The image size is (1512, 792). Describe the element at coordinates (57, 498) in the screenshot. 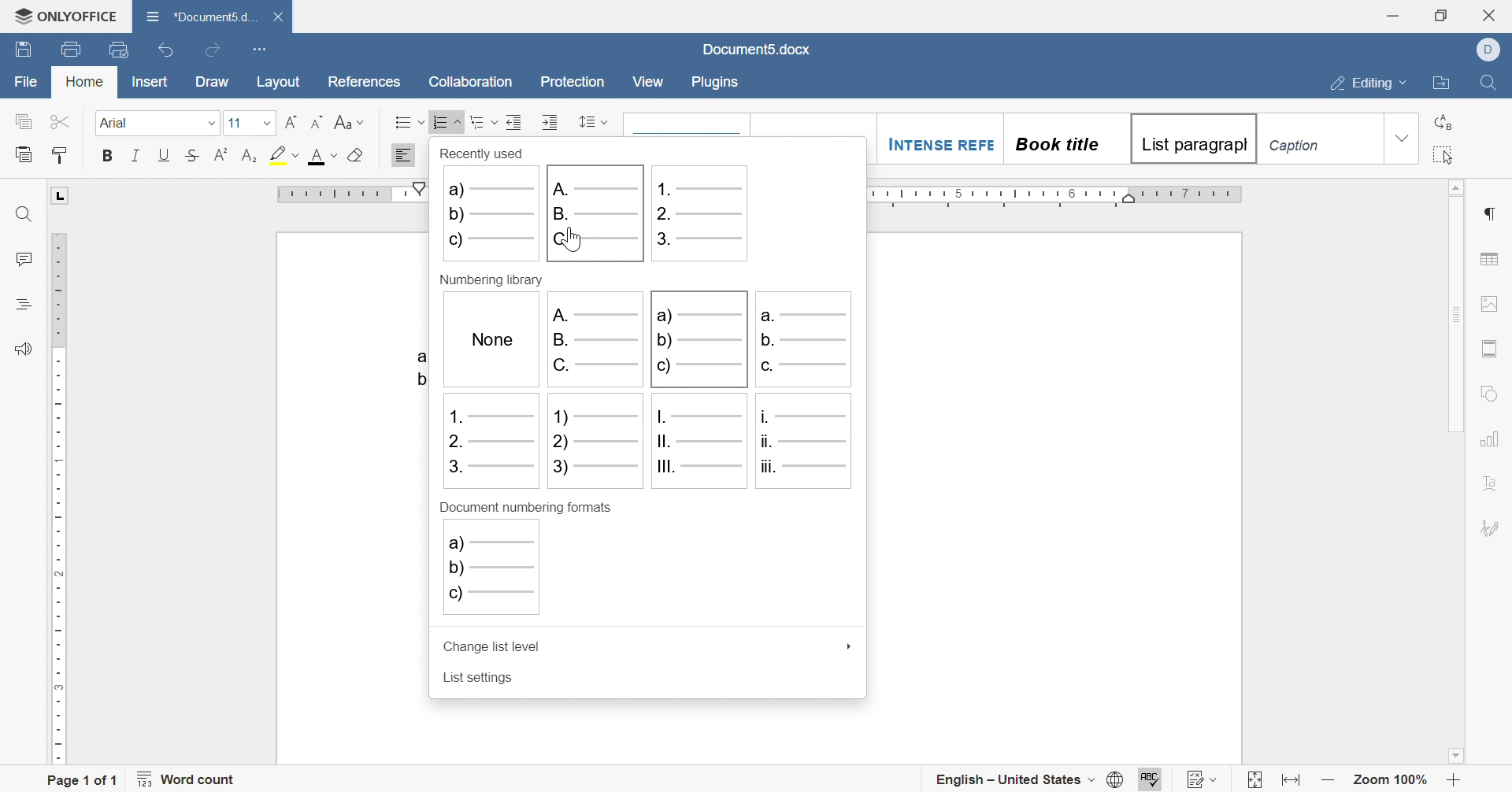

I see `ruler` at that location.